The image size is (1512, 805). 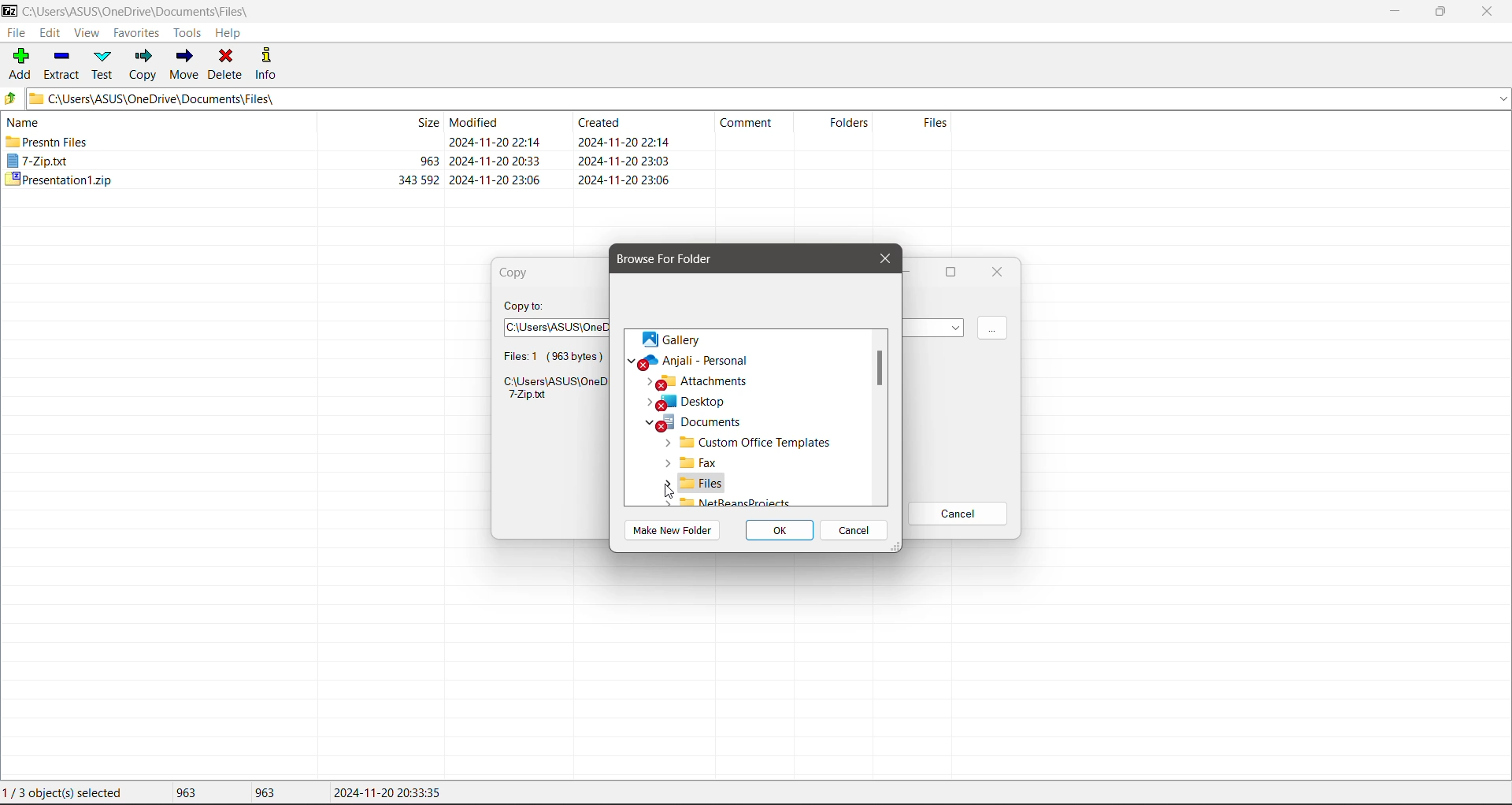 What do you see at coordinates (521, 274) in the screenshot?
I see `Copy` at bounding box center [521, 274].